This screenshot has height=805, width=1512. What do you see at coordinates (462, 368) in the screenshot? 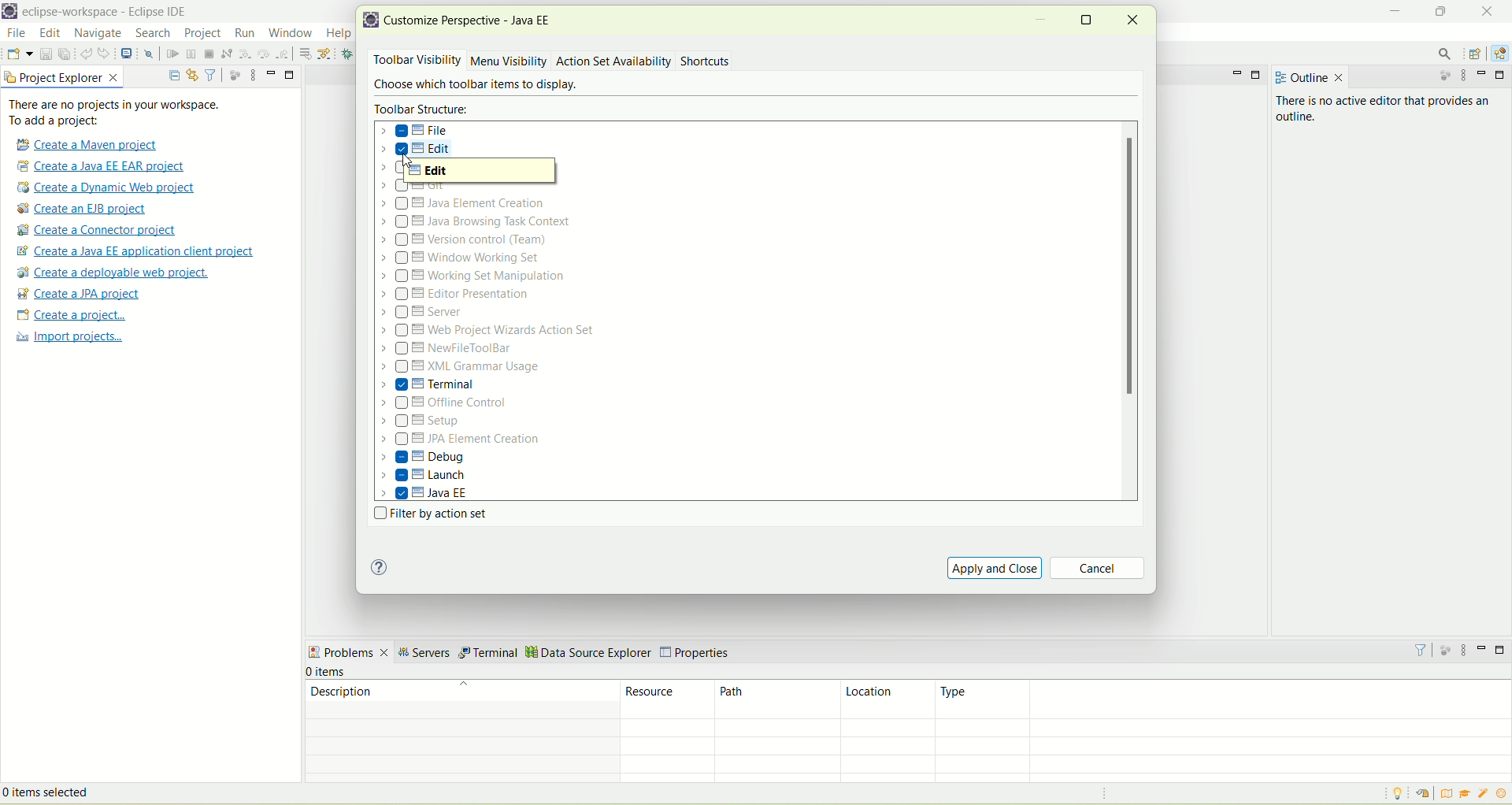
I see `XML grammar uasage` at bounding box center [462, 368].